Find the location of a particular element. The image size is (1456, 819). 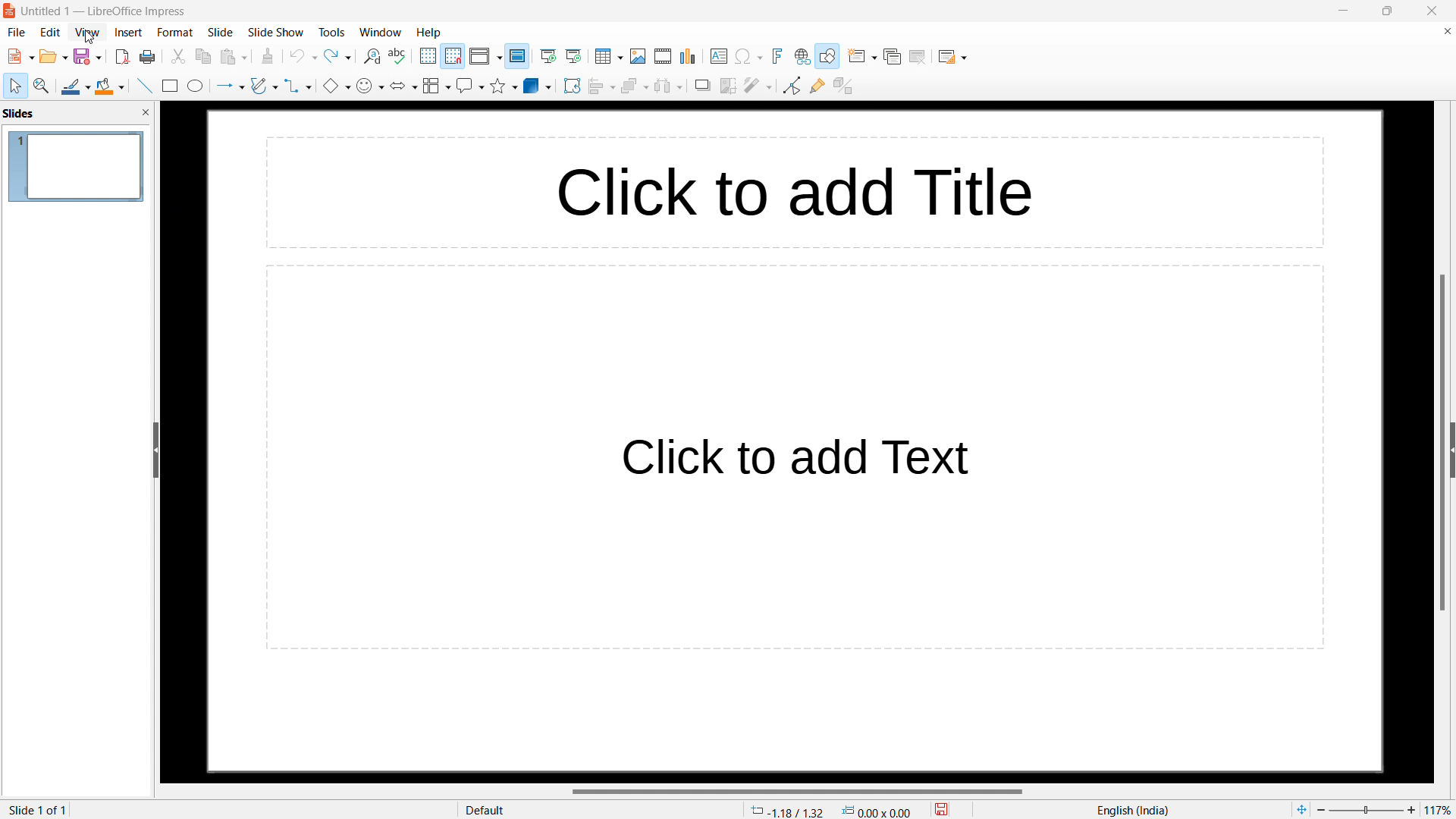

symbol shapes is located at coordinates (370, 86).